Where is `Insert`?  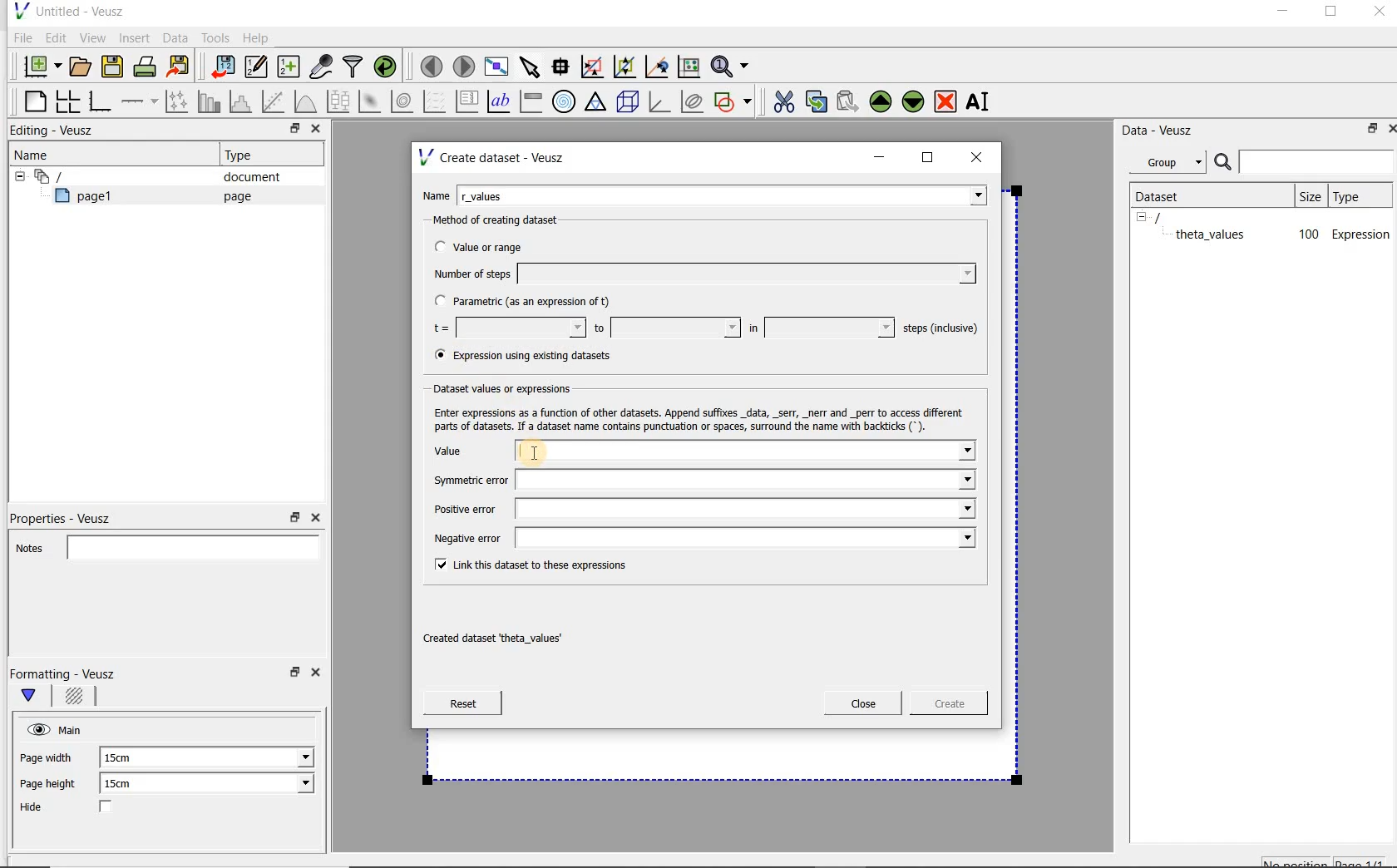 Insert is located at coordinates (136, 37).